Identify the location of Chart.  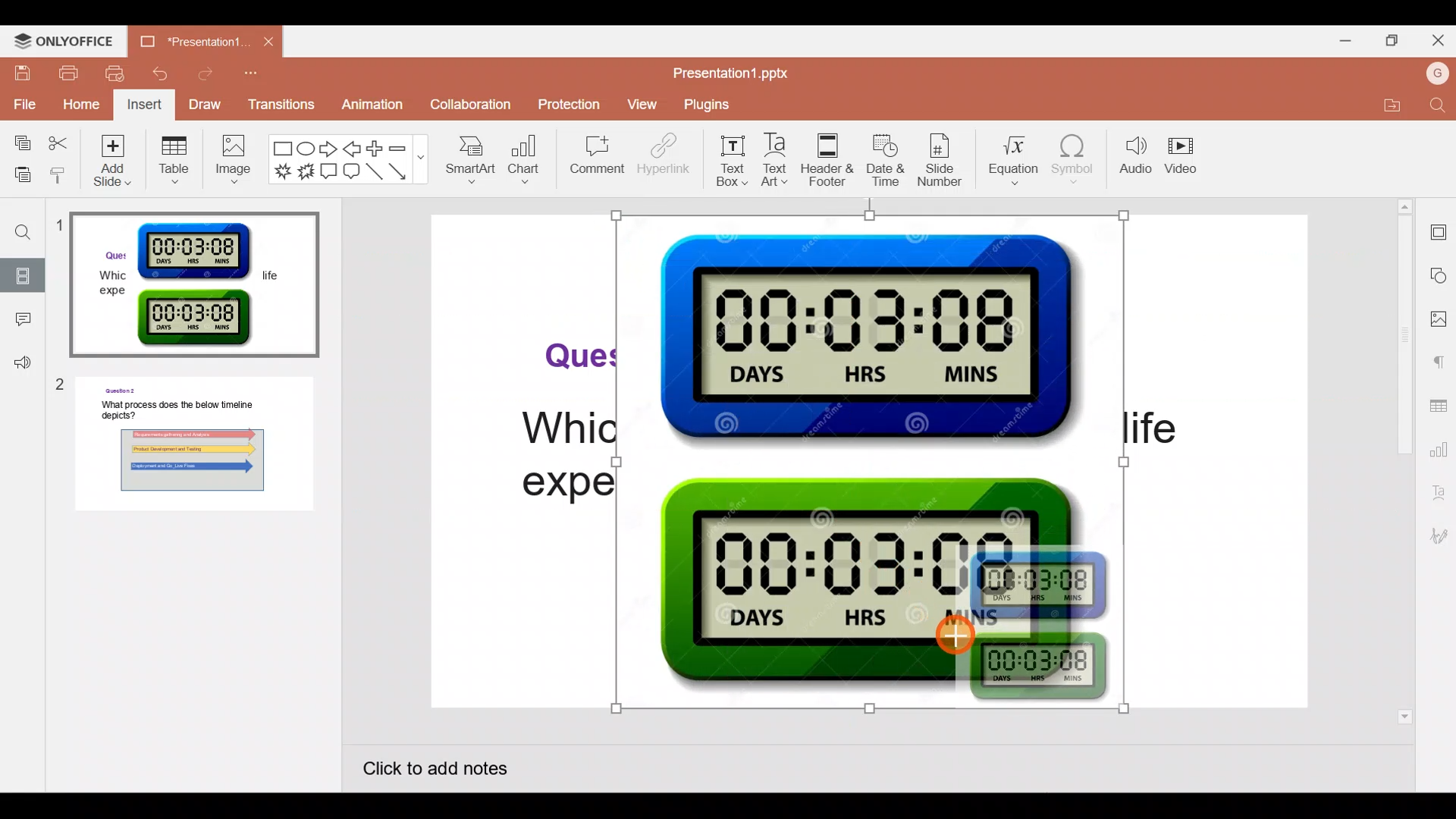
(526, 162).